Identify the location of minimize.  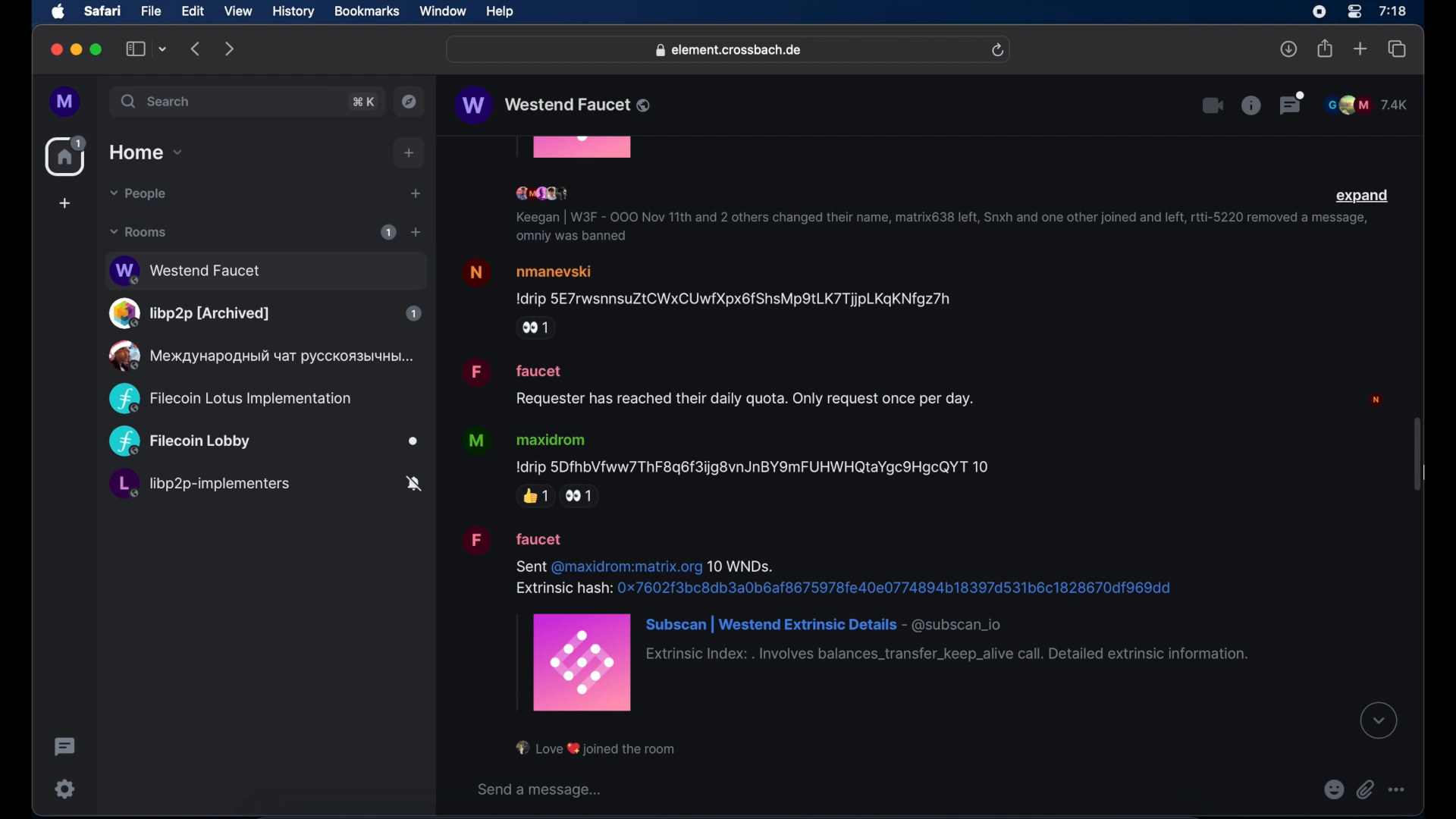
(77, 49).